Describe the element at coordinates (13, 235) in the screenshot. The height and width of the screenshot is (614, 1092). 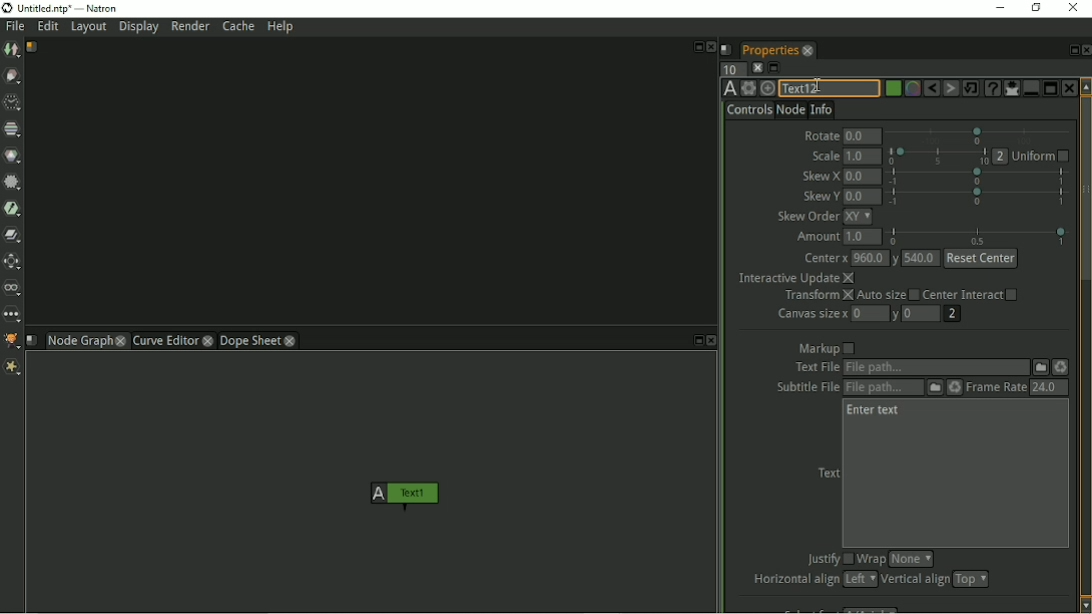
I see `Merge` at that location.